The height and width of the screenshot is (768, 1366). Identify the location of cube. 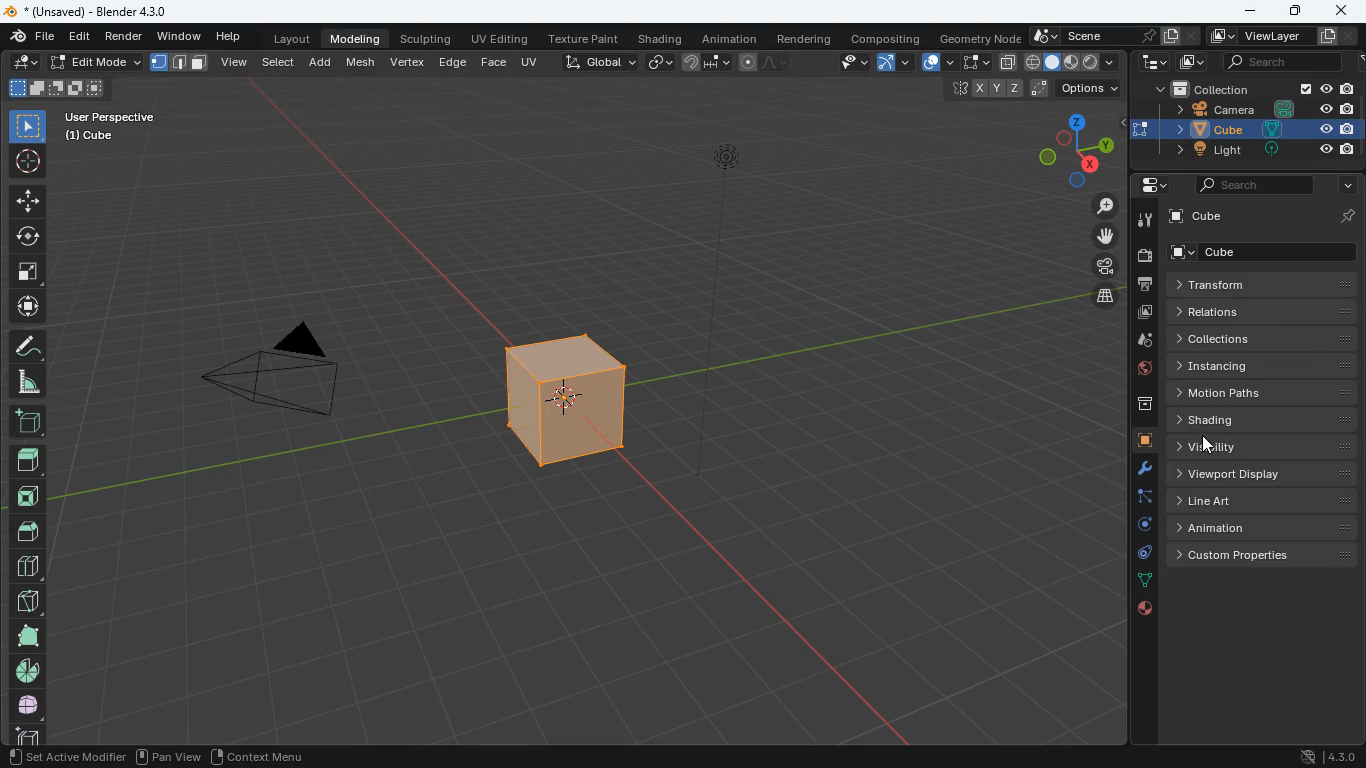
(1139, 441).